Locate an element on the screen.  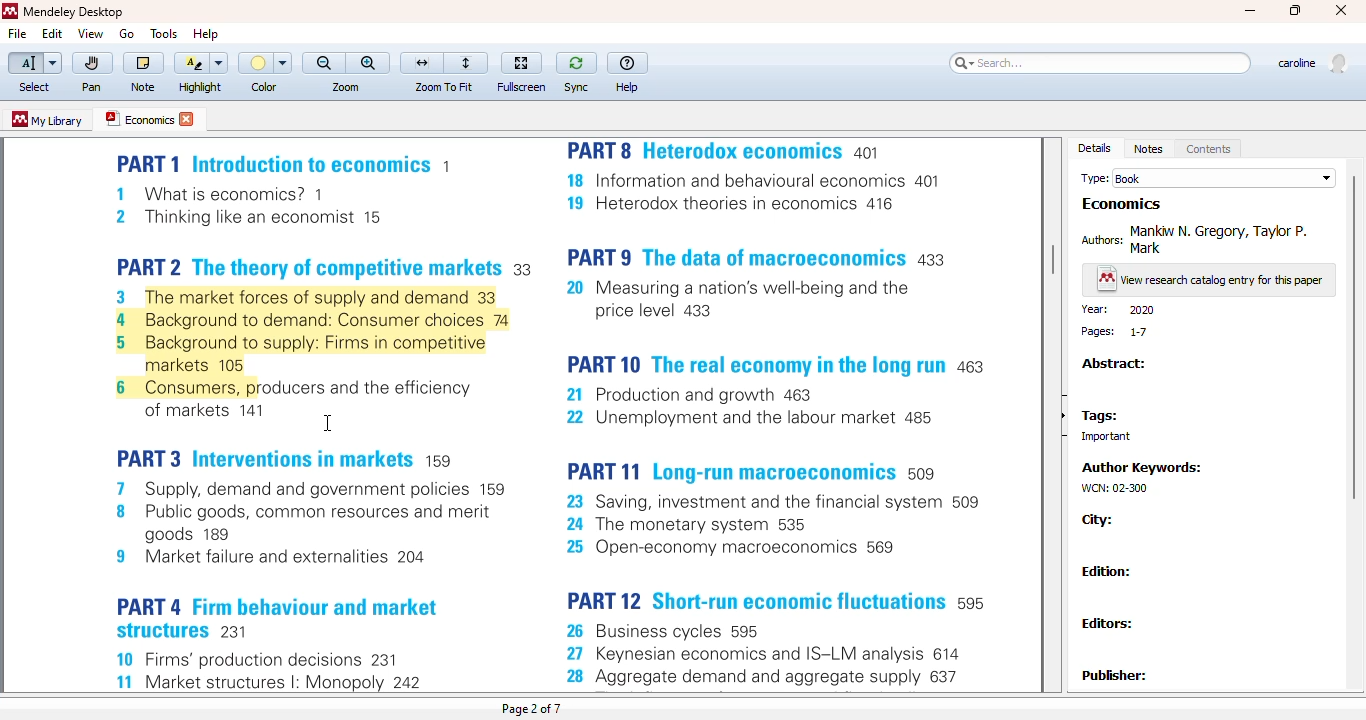
author keywords:  is located at coordinates (1145, 467).